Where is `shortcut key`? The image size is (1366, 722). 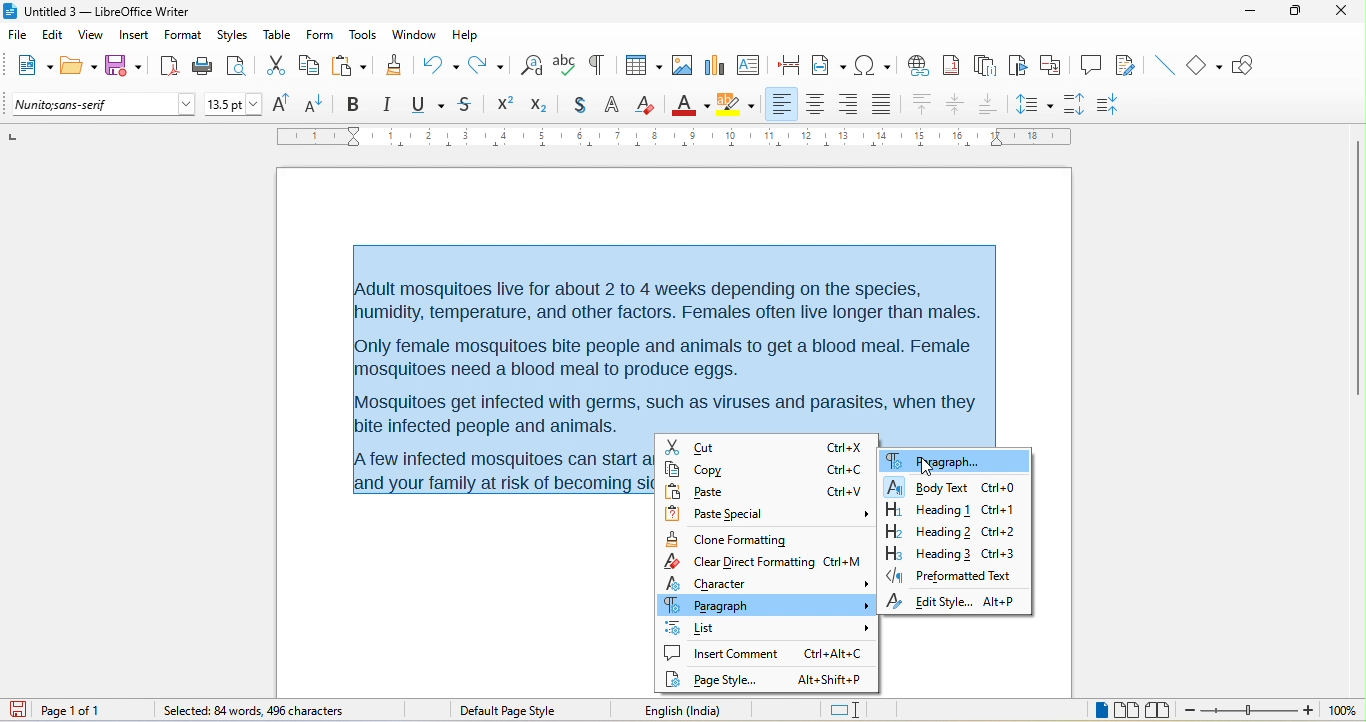
shortcut key is located at coordinates (842, 562).